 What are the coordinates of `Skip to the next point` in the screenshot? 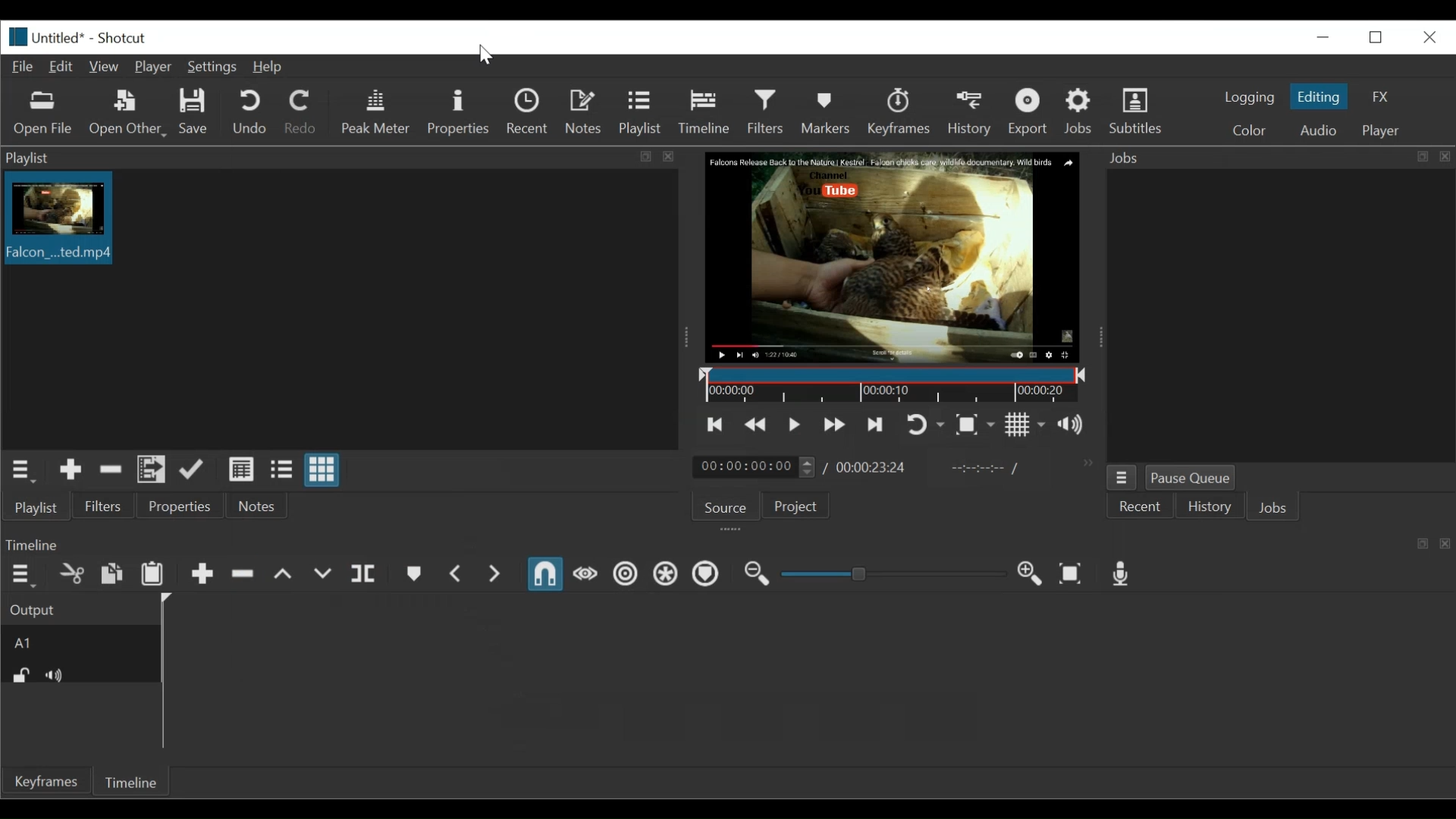 It's located at (875, 426).